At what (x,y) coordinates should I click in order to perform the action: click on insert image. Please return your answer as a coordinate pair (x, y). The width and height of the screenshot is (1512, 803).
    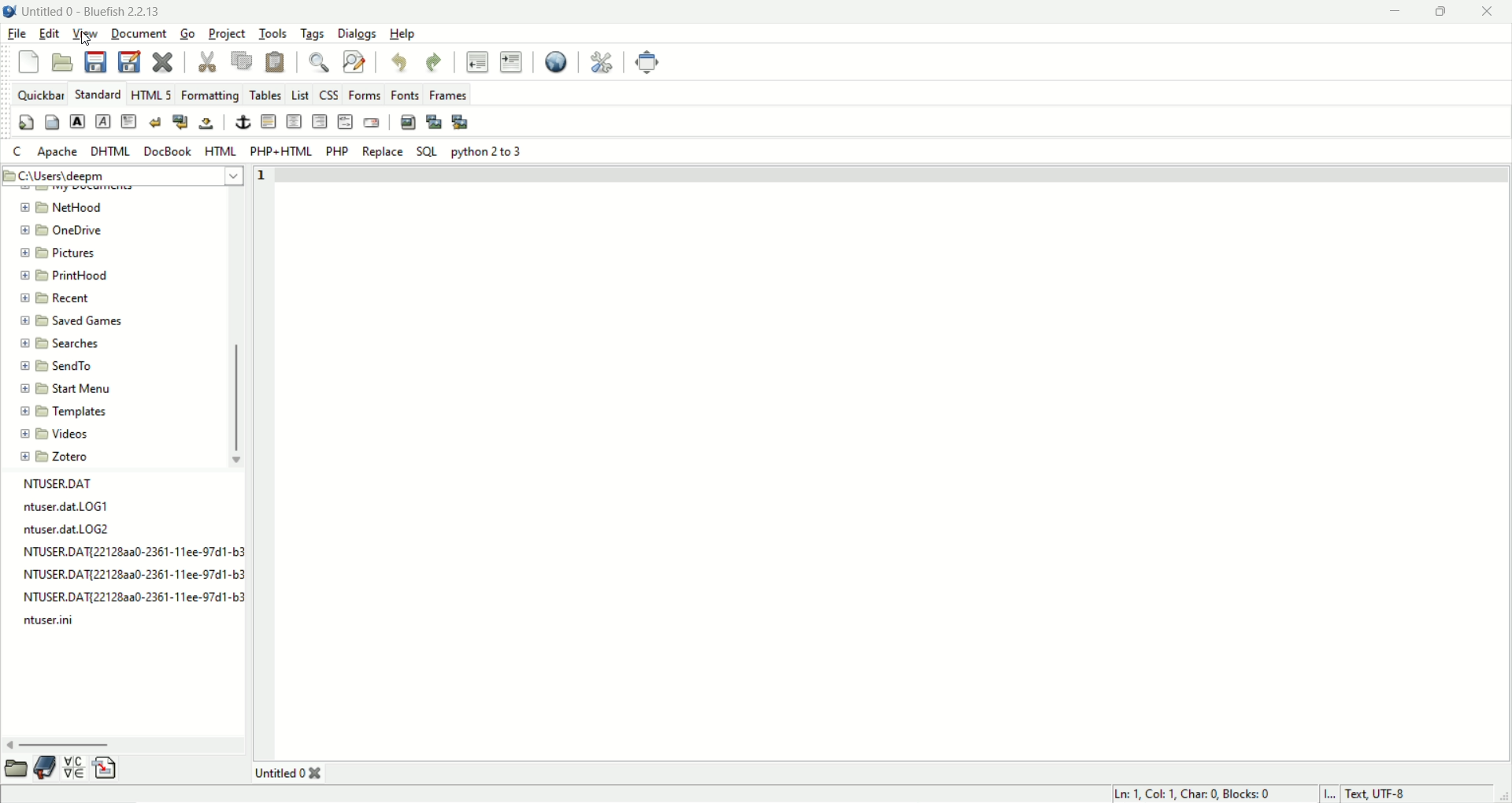
    Looking at the image, I should click on (407, 124).